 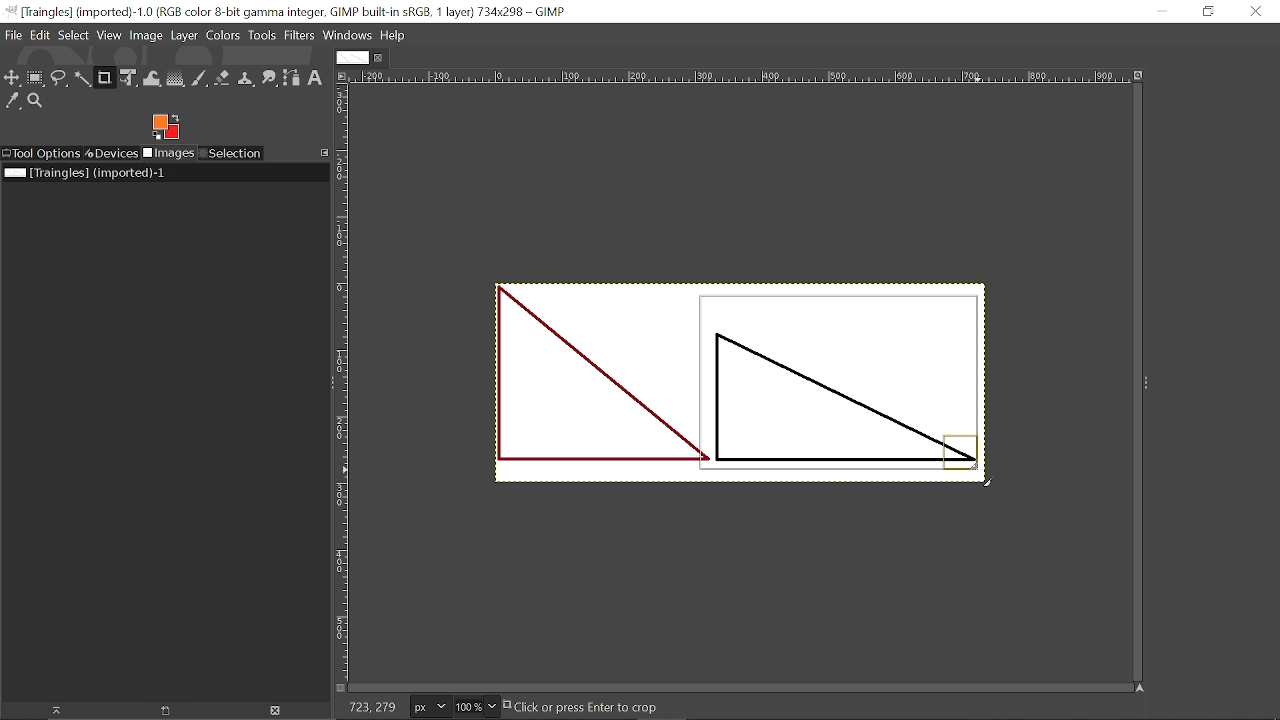 I want to click on clone tool , so click(x=245, y=79).